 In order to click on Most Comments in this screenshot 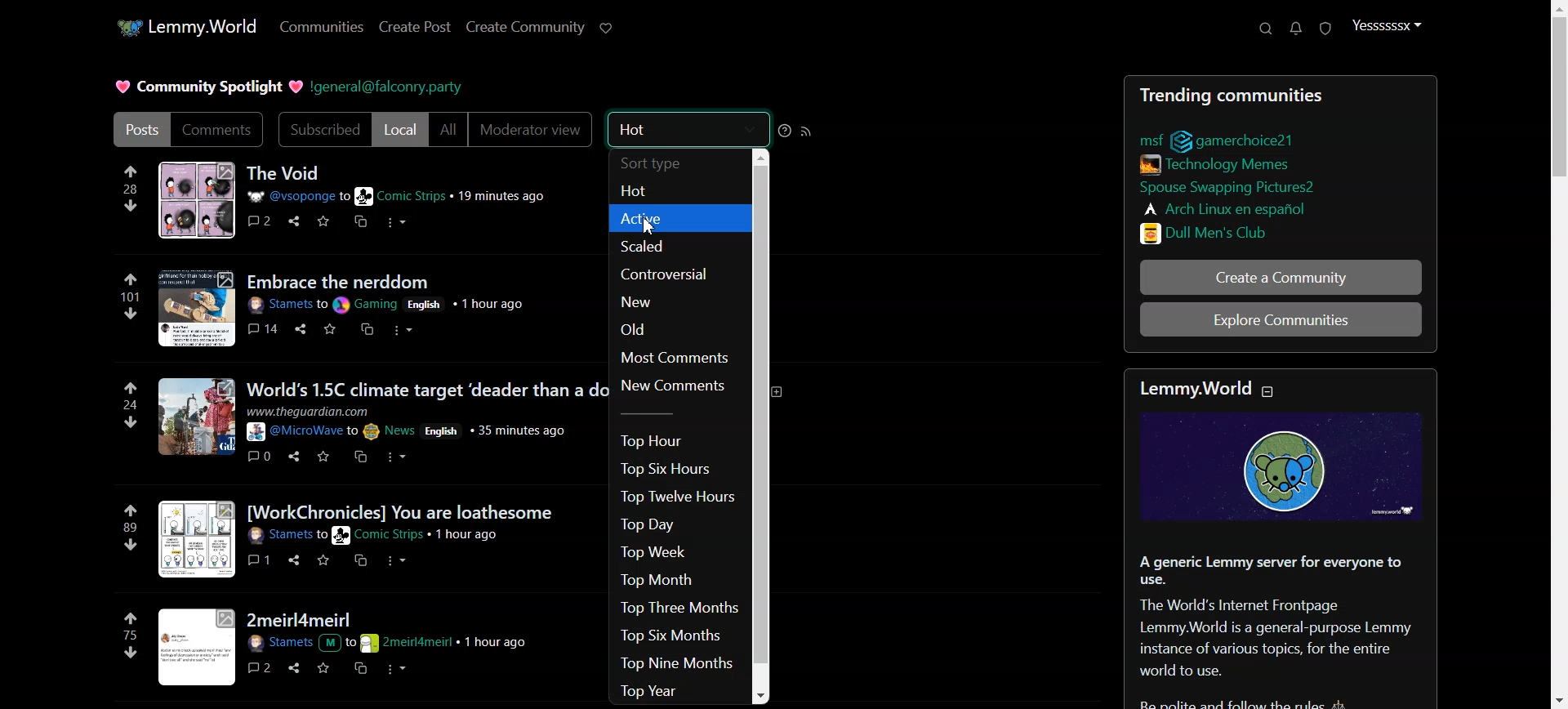, I will do `click(675, 357)`.